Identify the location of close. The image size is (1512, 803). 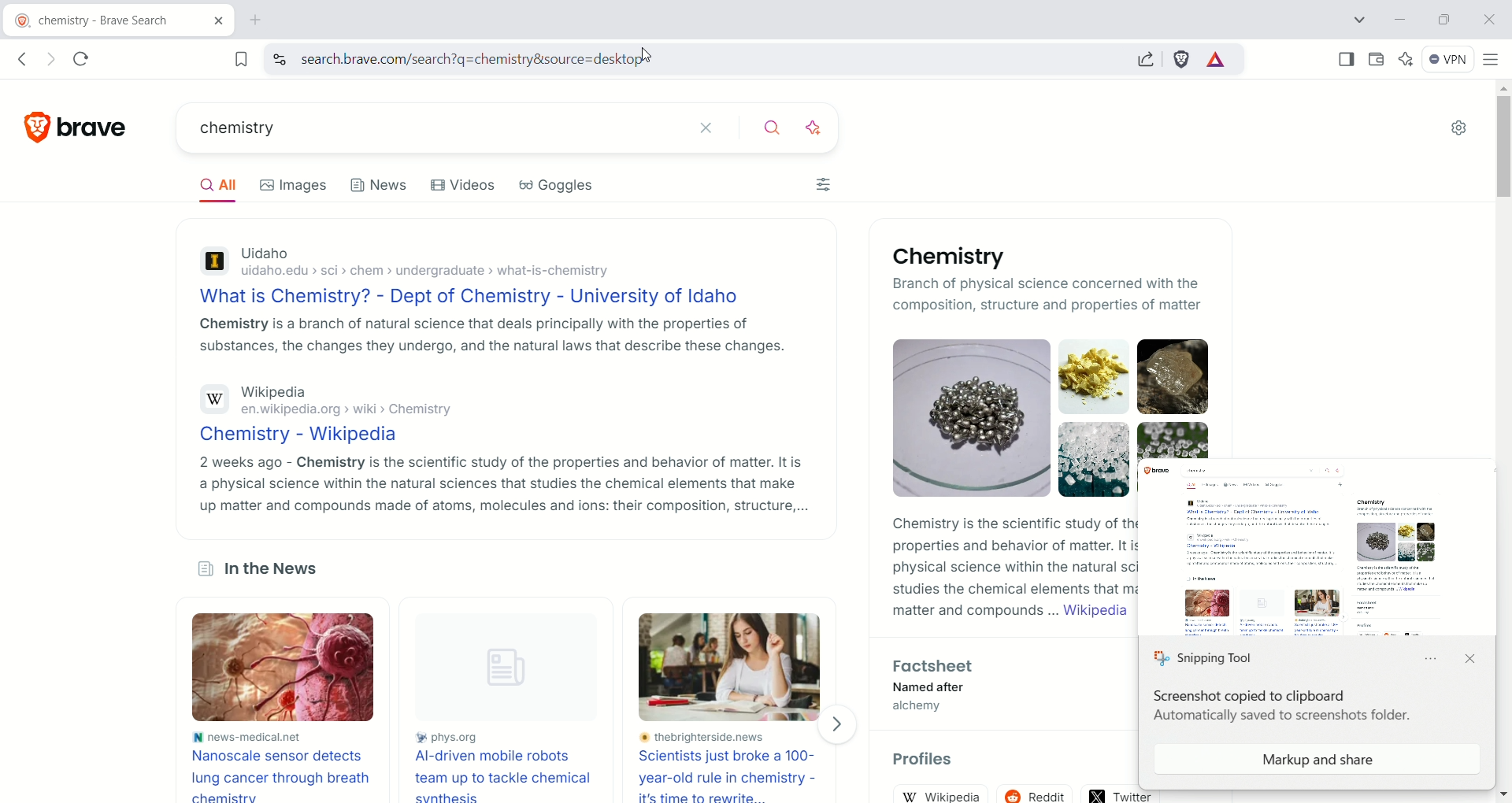
(1469, 659).